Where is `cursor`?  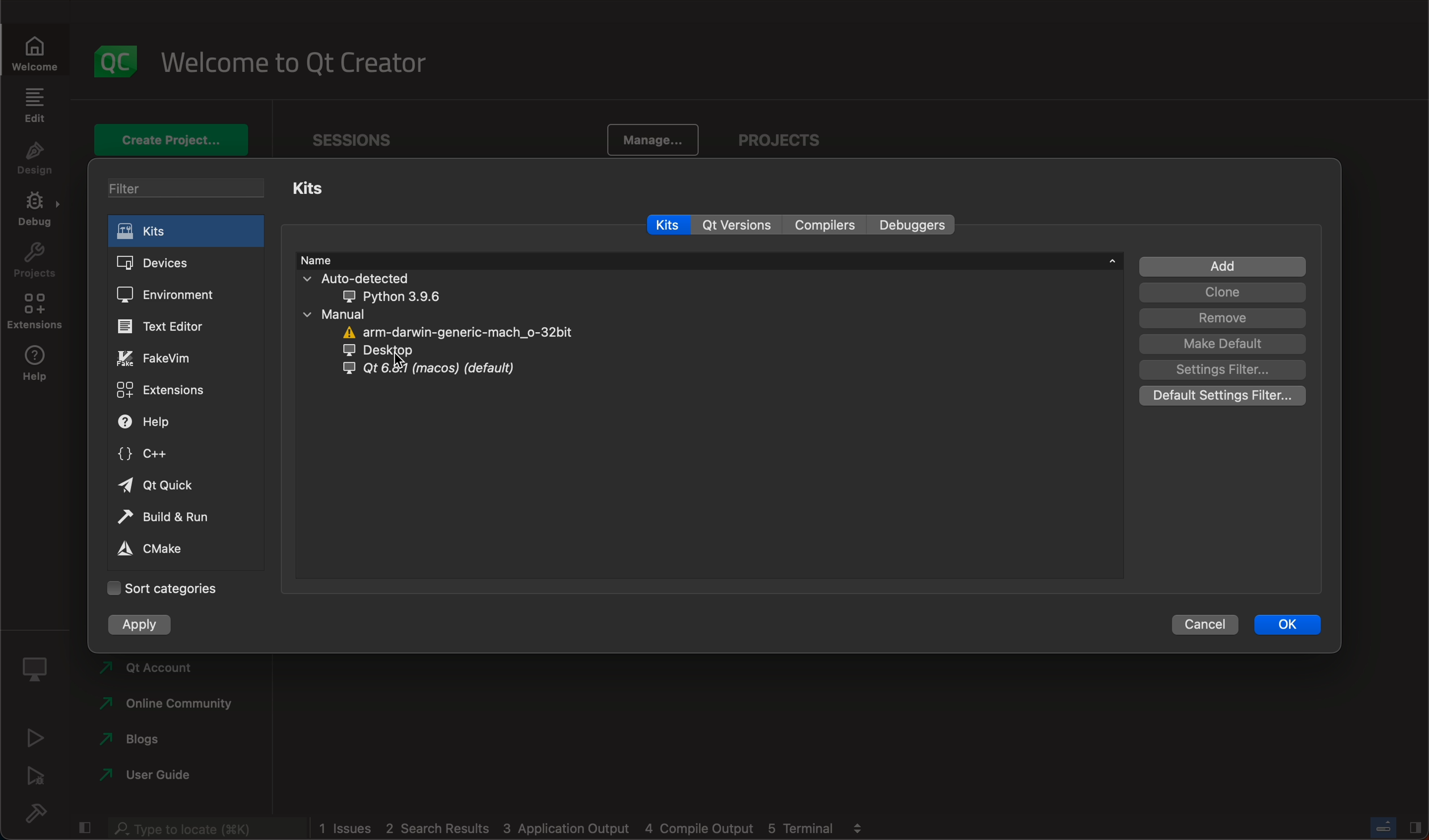
cursor is located at coordinates (410, 362).